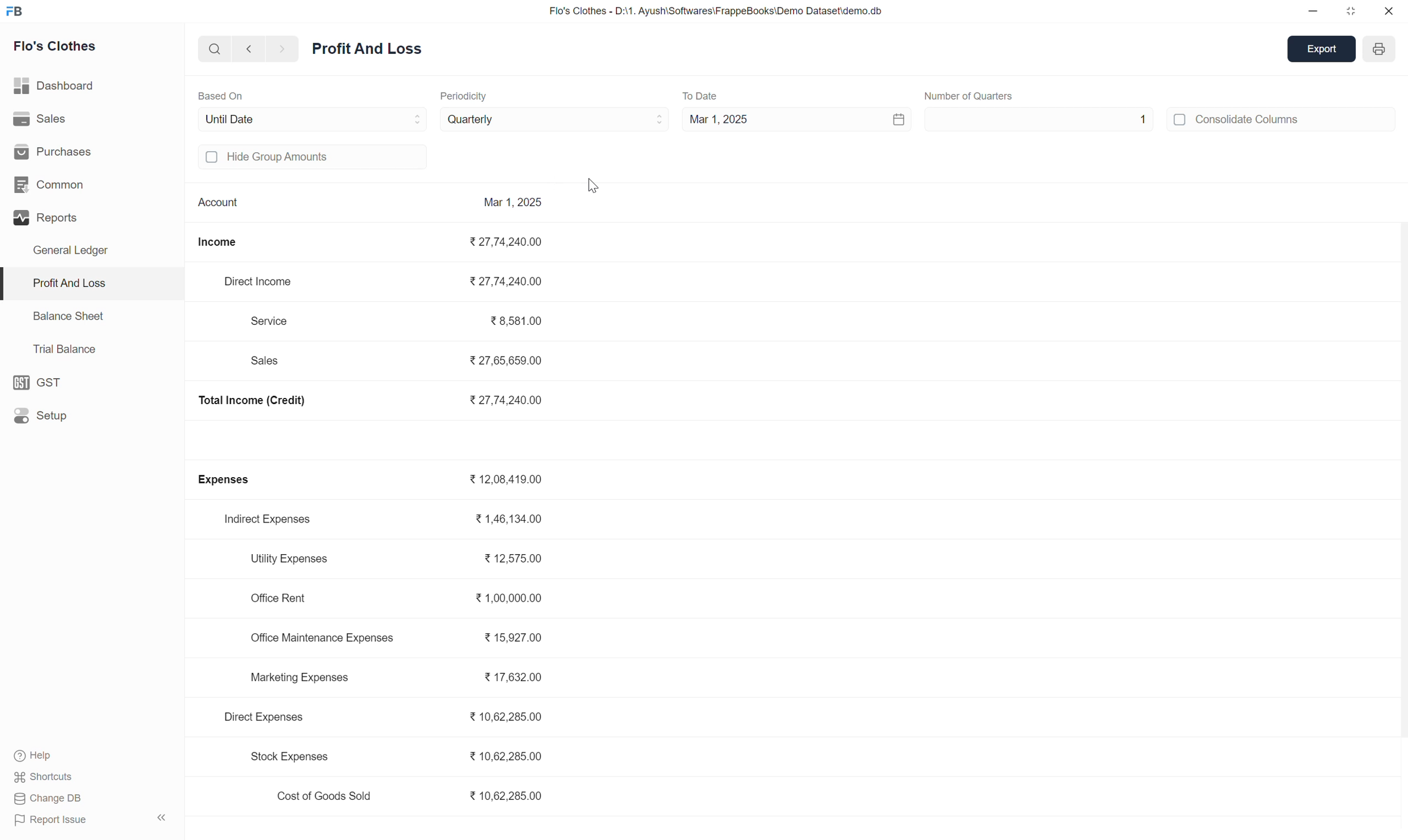 Image resolution: width=1408 pixels, height=840 pixels. Describe the element at coordinates (46, 222) in the screenshot. I see `Reports` at that location.